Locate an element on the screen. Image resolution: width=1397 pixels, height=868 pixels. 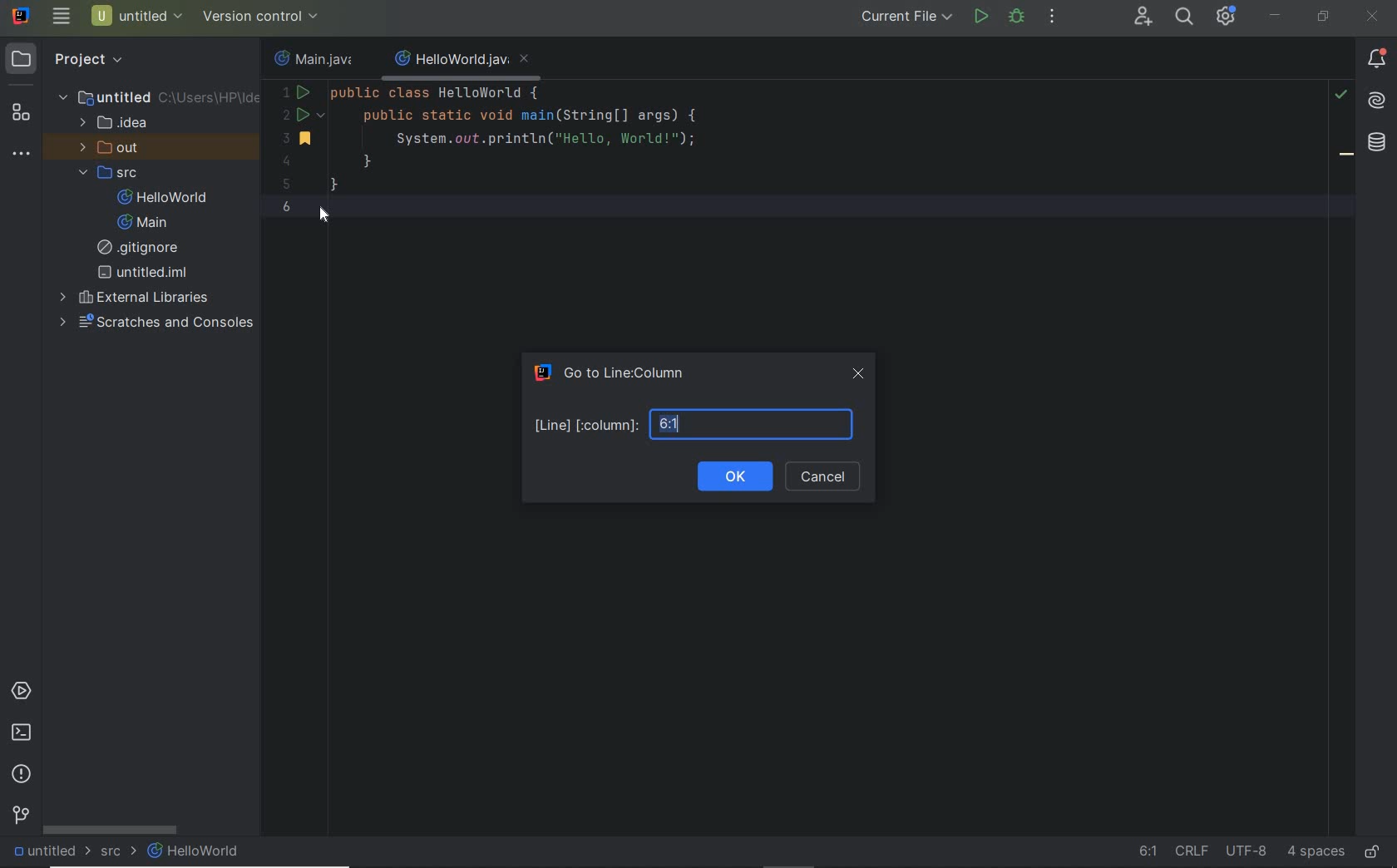
HelloWorld is located at coordinates (166, 197).